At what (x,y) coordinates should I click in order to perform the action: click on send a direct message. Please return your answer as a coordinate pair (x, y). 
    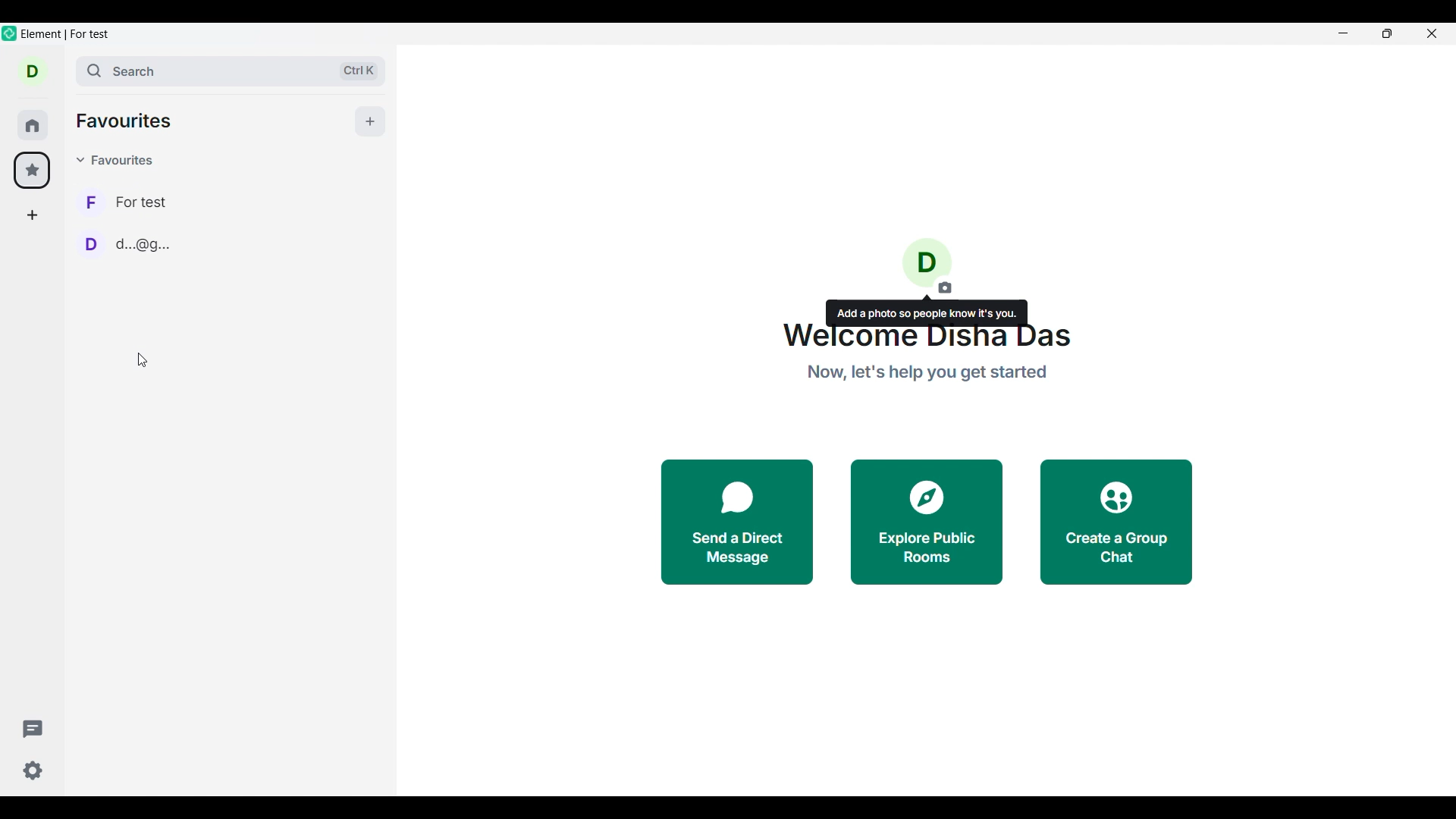
    Looking at the image, I should click on (724, 524).